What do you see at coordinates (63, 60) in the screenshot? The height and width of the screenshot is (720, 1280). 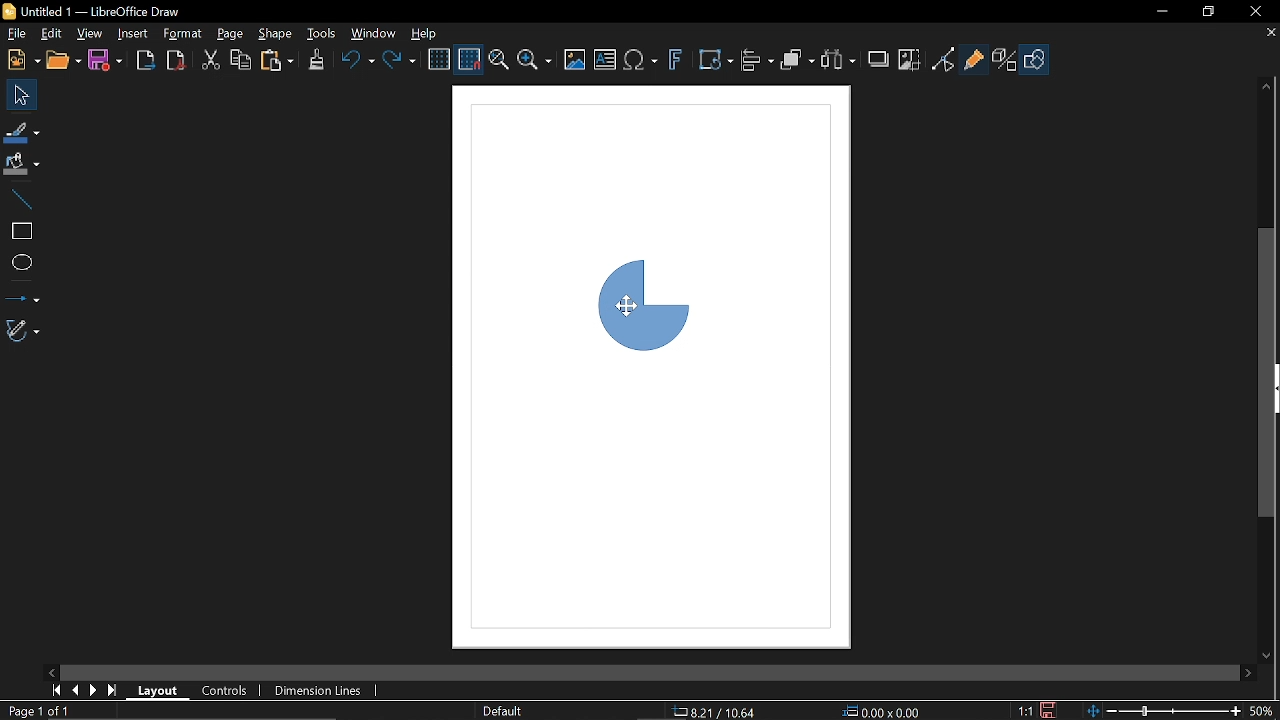 I see `open` at bounding box center [63, 60].